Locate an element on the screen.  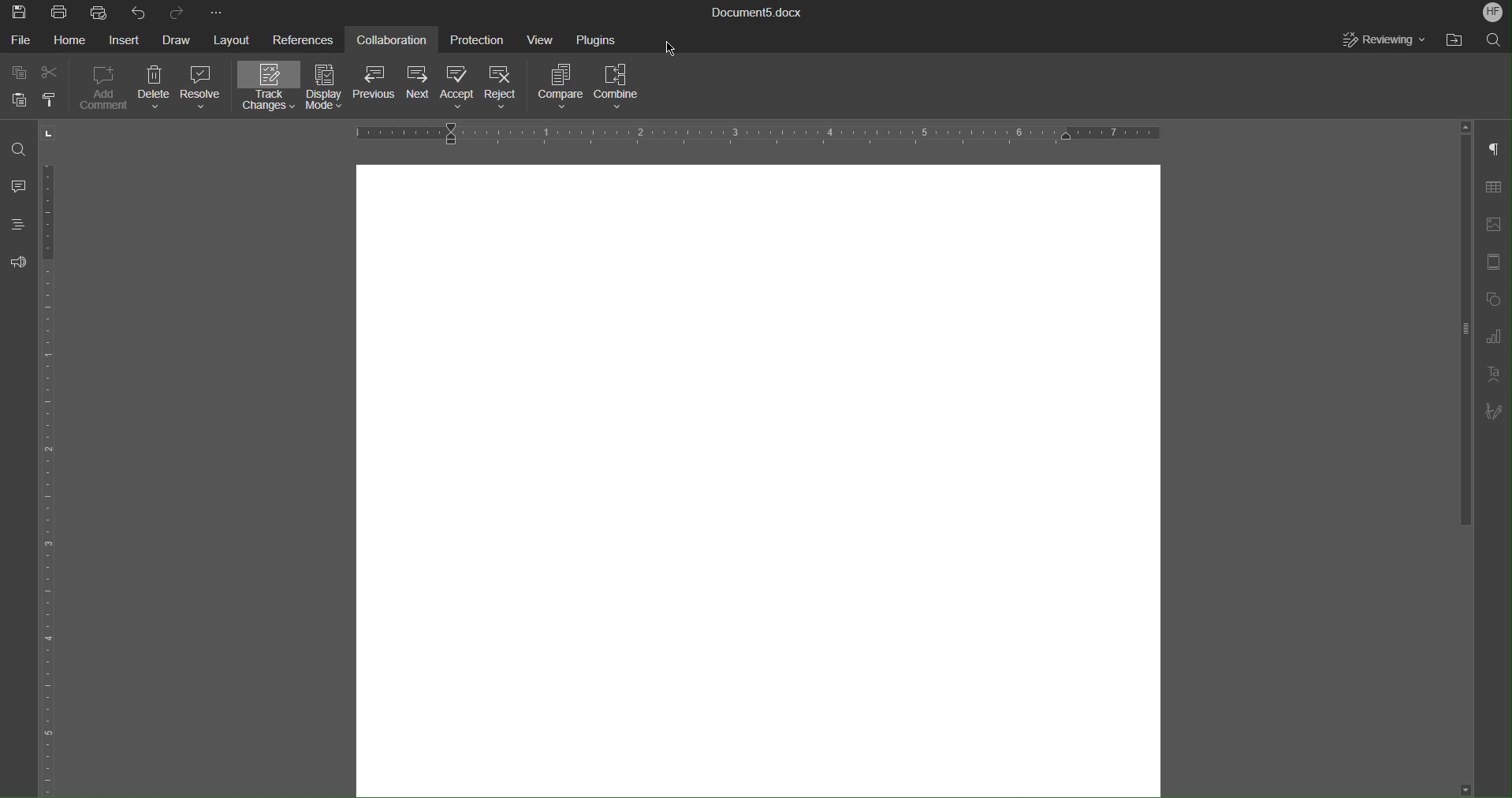
vertical scroll bar is located at coordinates (1469, 330).